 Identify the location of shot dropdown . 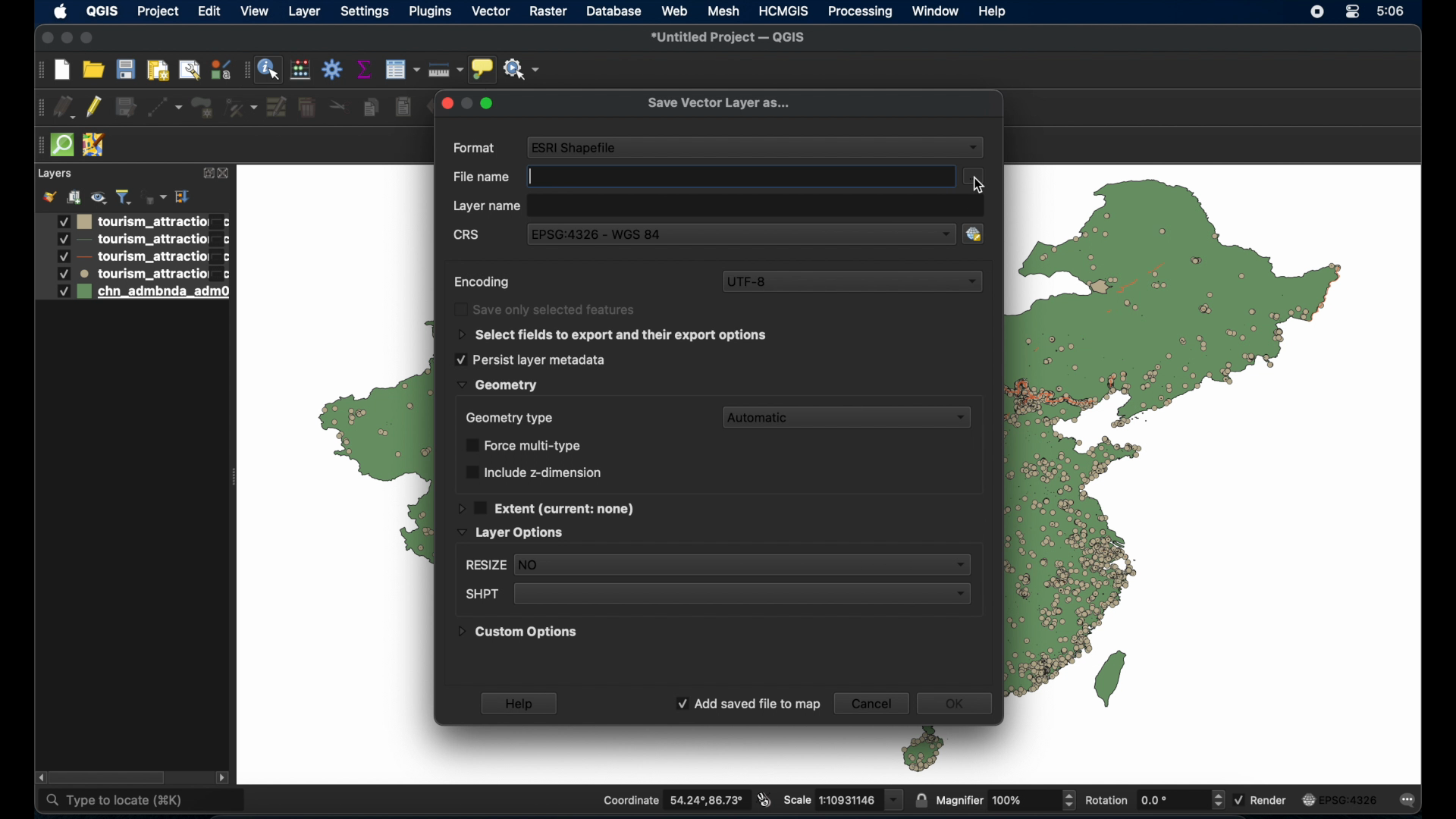
(715, 595).